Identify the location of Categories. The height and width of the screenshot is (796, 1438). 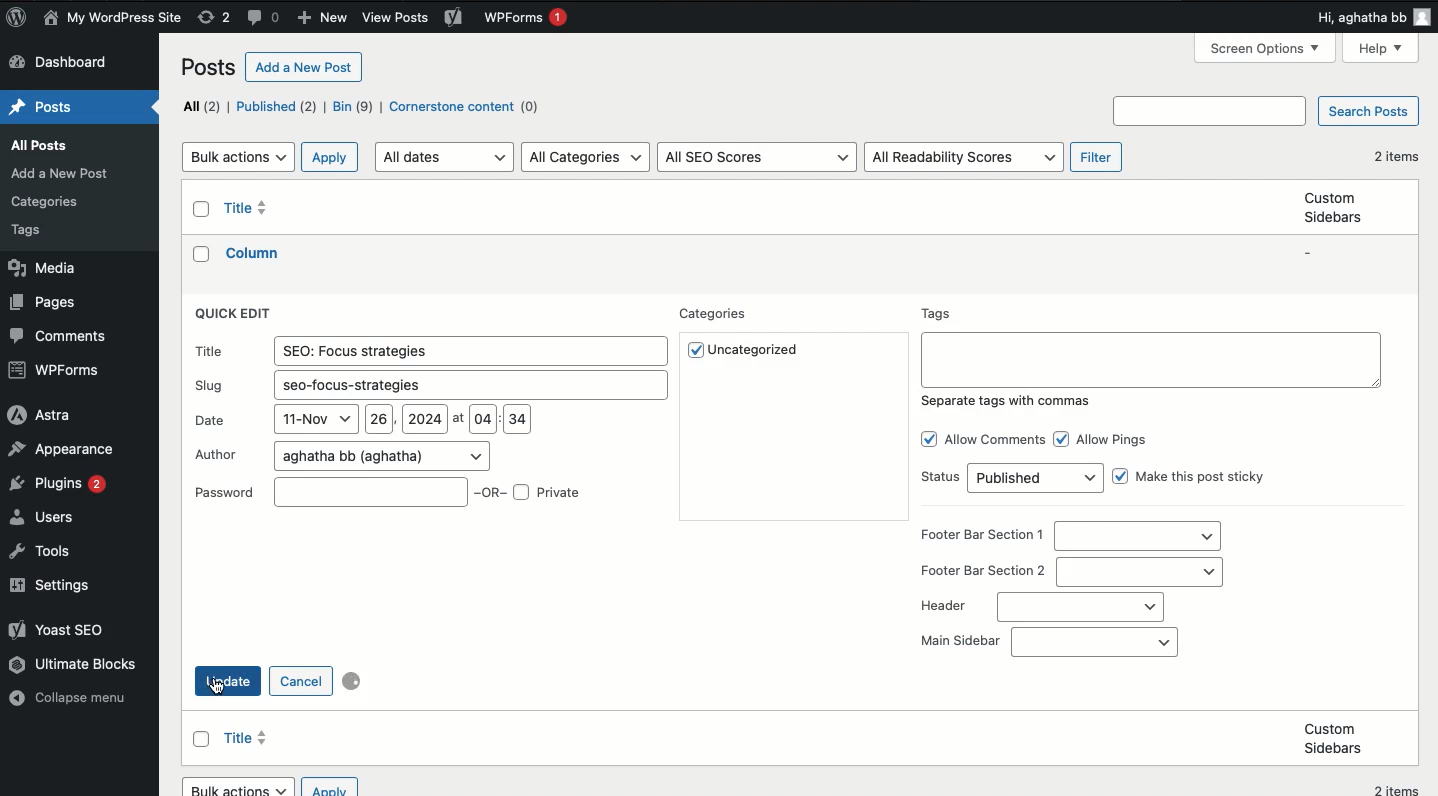
(717, 315).